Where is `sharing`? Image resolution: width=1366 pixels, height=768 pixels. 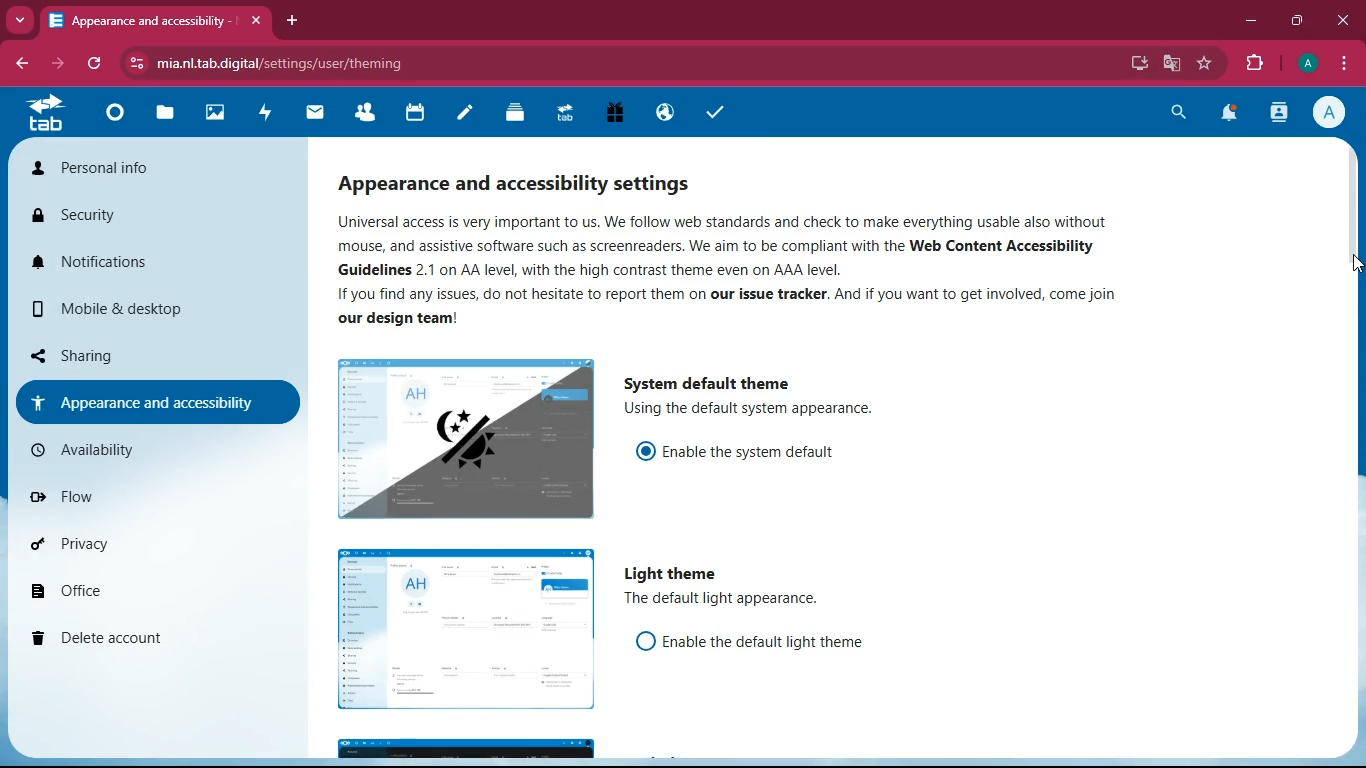
sharing is located at coordinates (140, 353).